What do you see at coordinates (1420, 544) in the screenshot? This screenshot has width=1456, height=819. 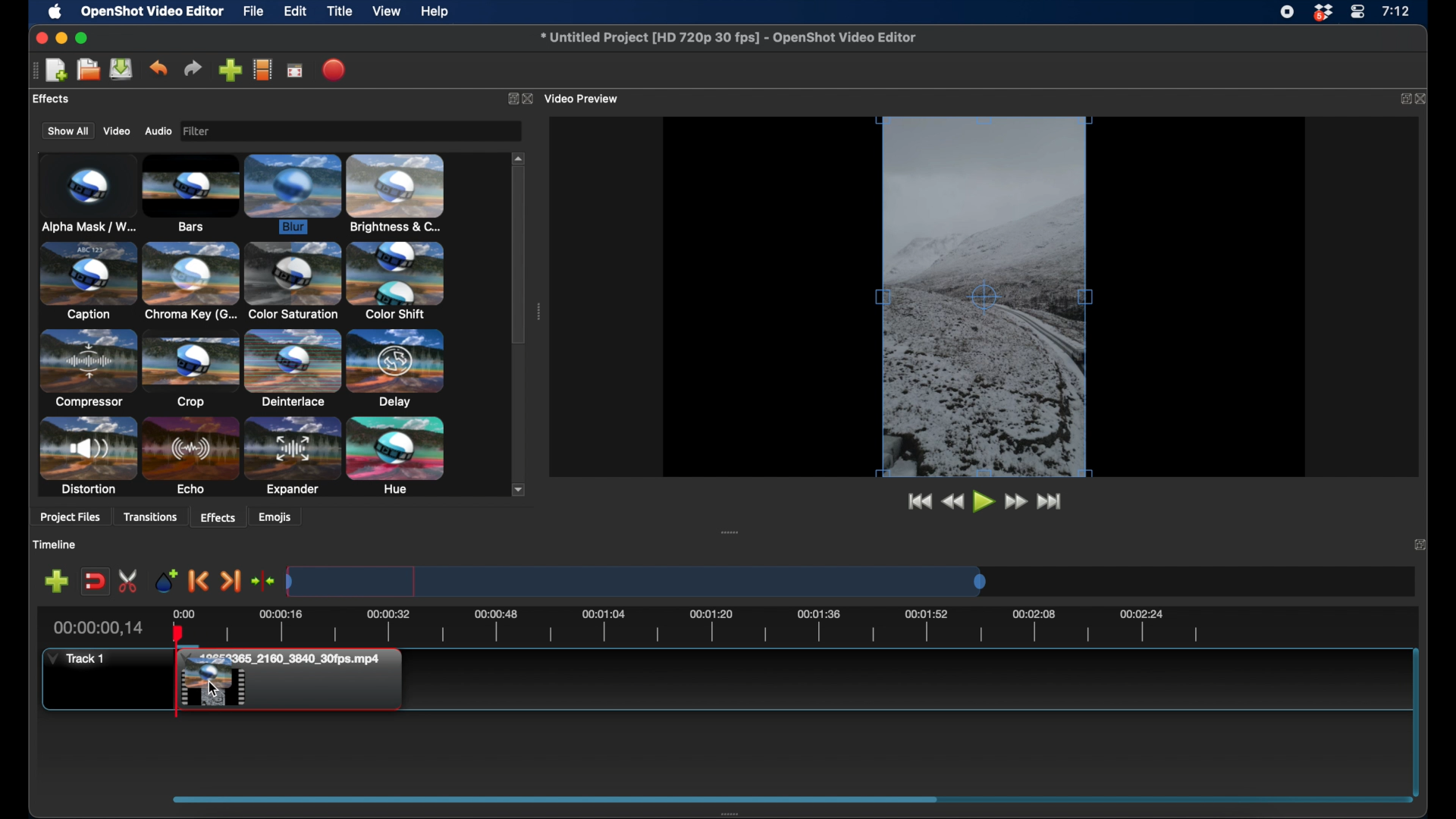 I see `expand` at bounding box center [1420, 544].